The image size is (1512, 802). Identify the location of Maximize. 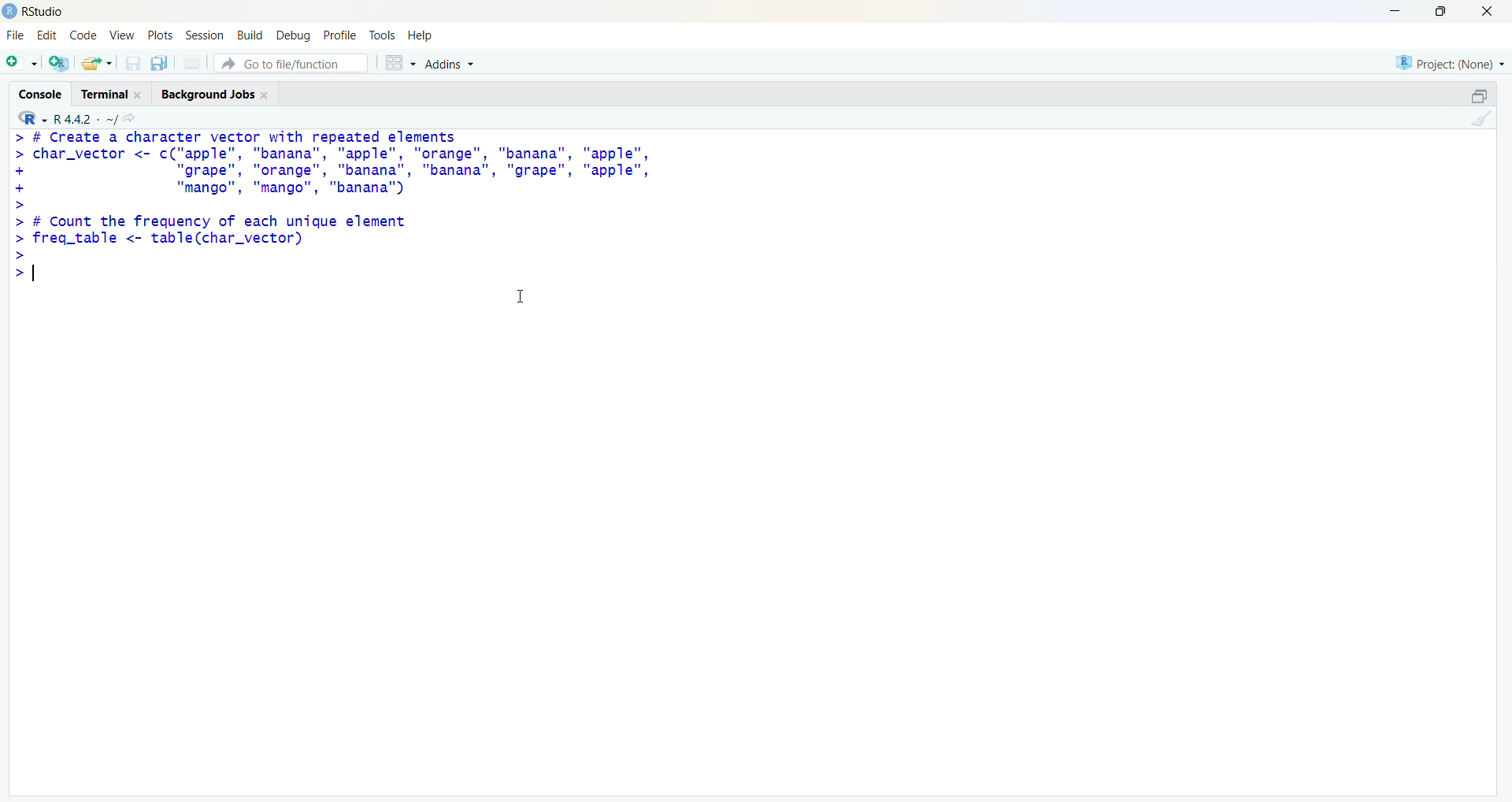
(1480, 93).